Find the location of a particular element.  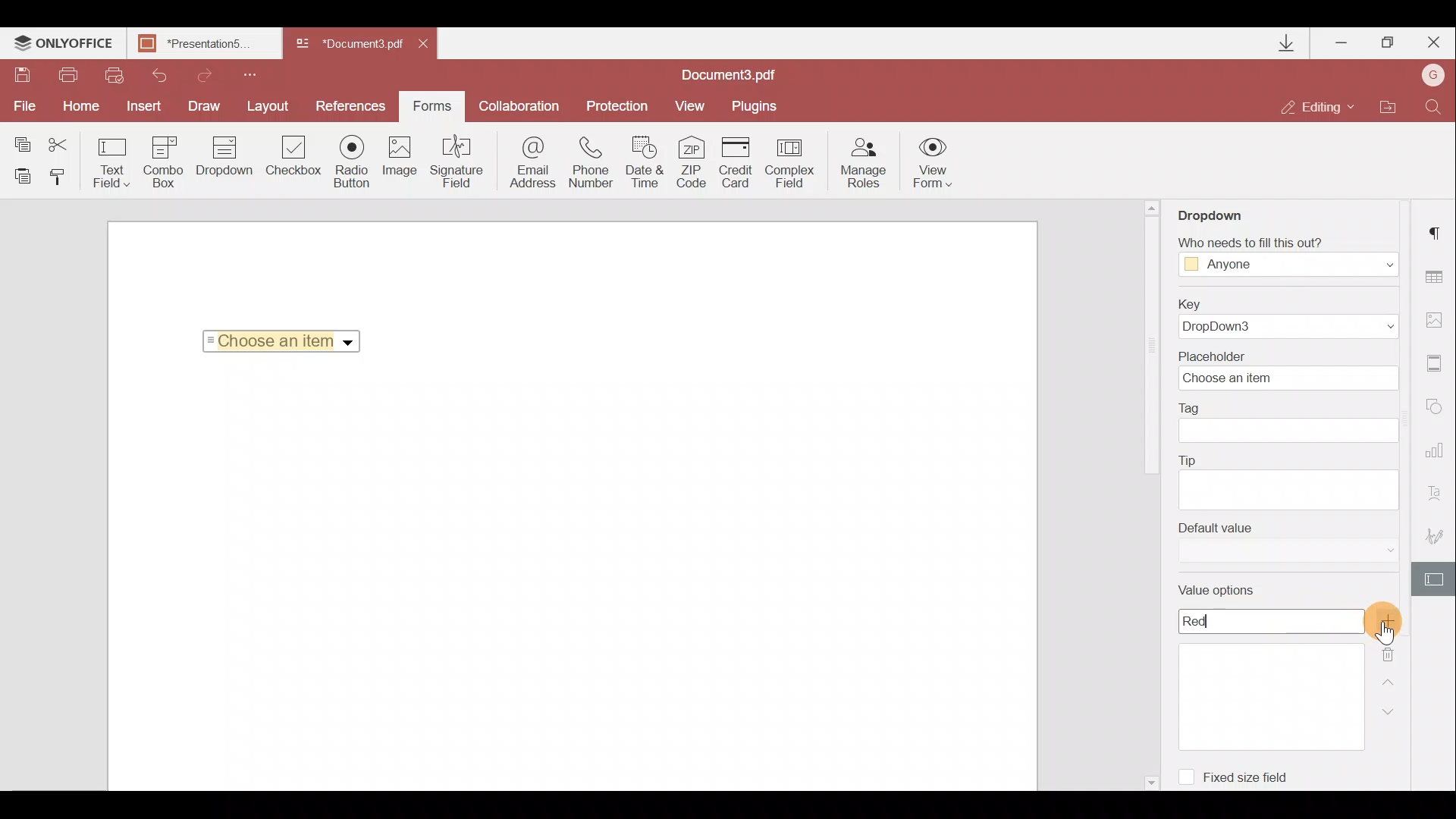

ZIP code is located at coordinates (695, 162).